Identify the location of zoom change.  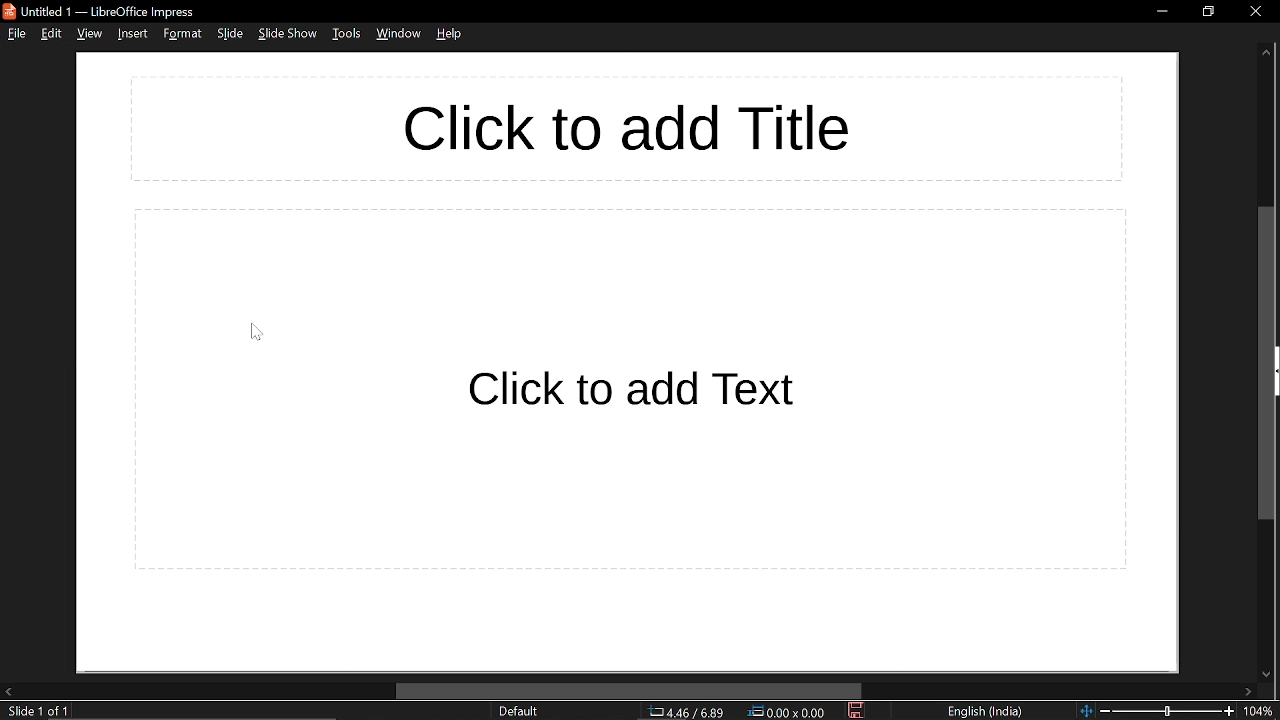
(1157, 712).